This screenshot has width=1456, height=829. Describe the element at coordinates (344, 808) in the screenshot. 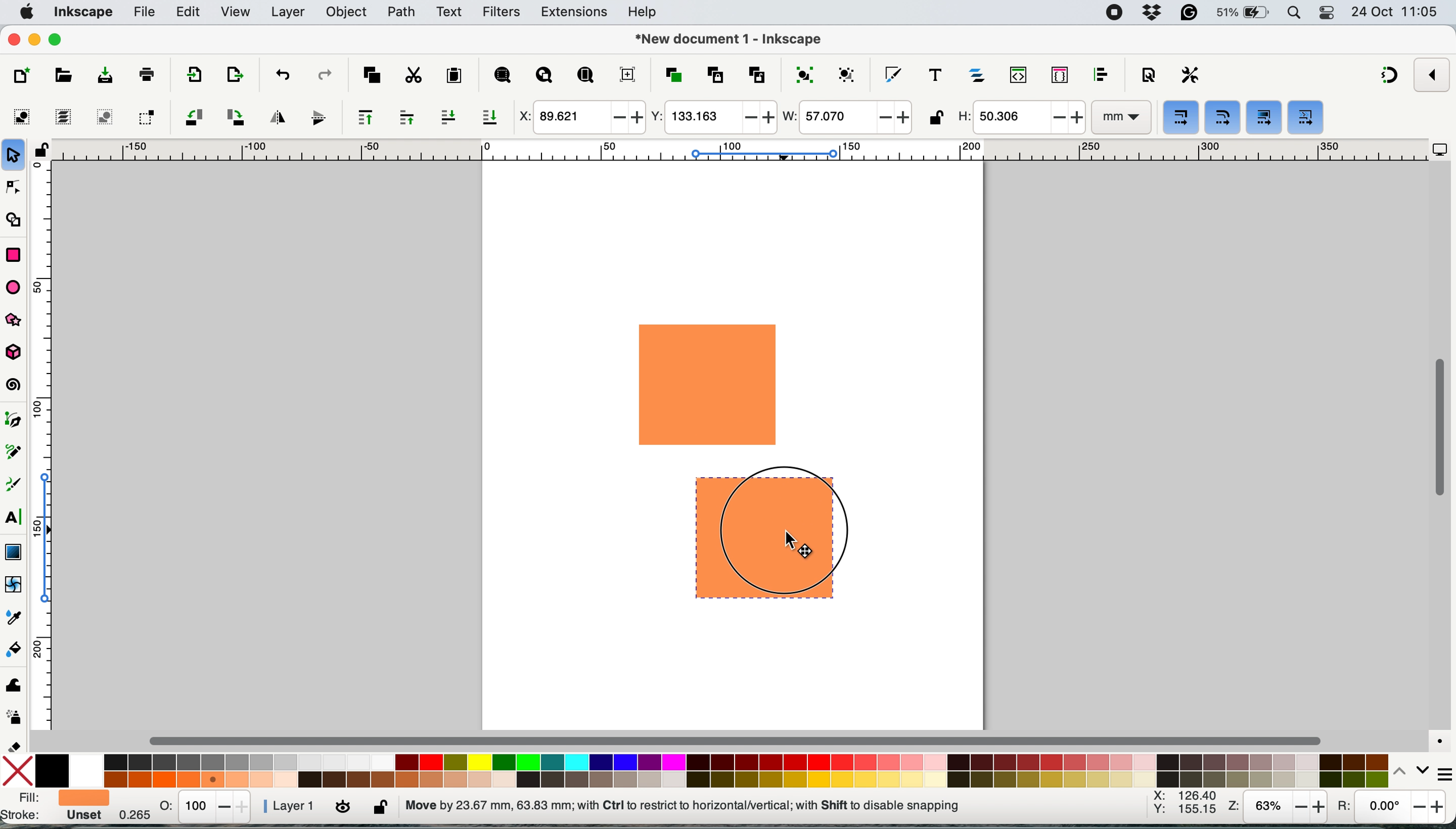

I see `toggle current layer visibility` at that location.